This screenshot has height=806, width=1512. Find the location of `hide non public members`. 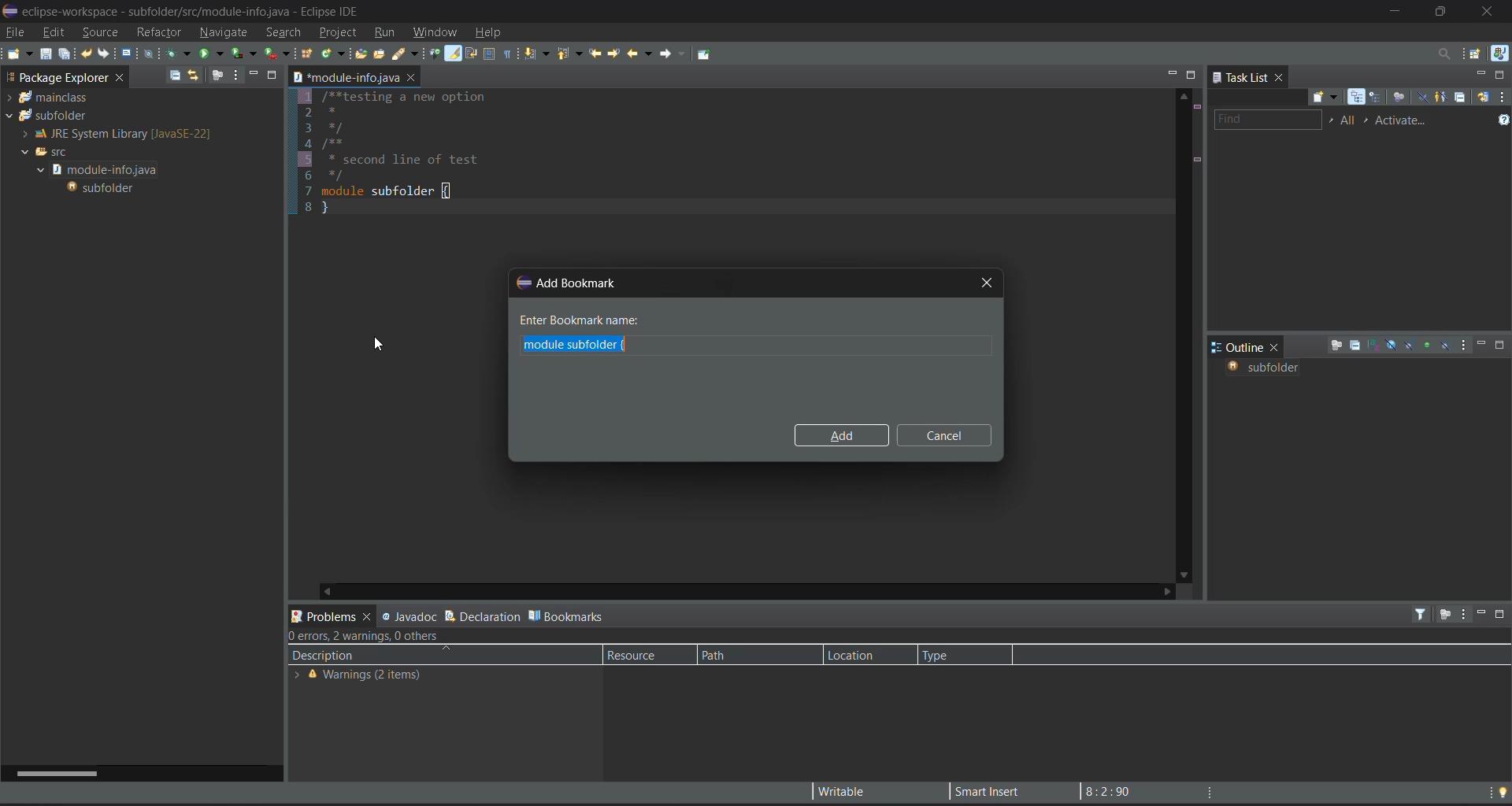

hide non public members is located at coordinates (1428, 343).